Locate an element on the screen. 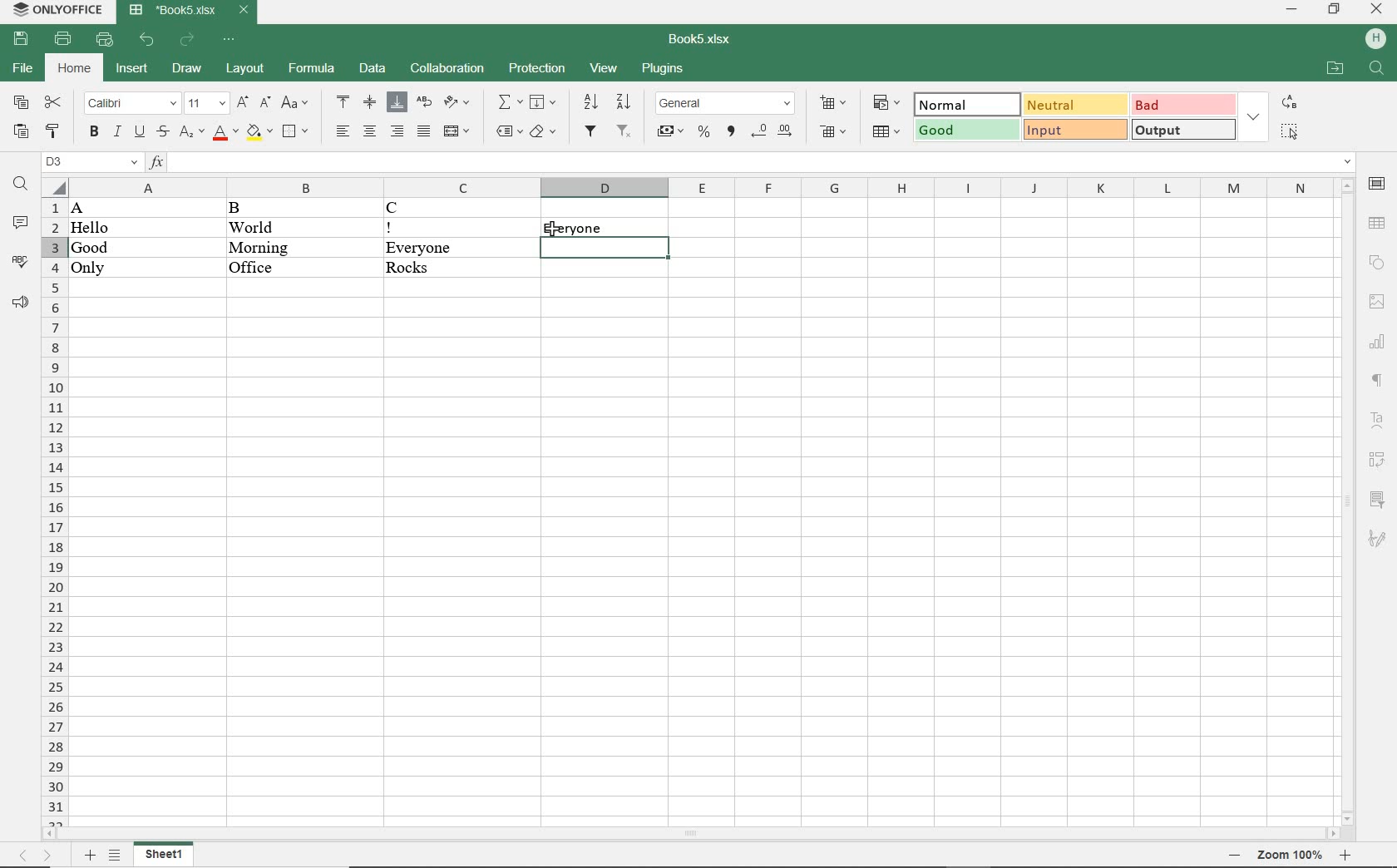 The height and width of the screenshot is (868, 1397). subscript/superscript is located at coordinates (190, 135).